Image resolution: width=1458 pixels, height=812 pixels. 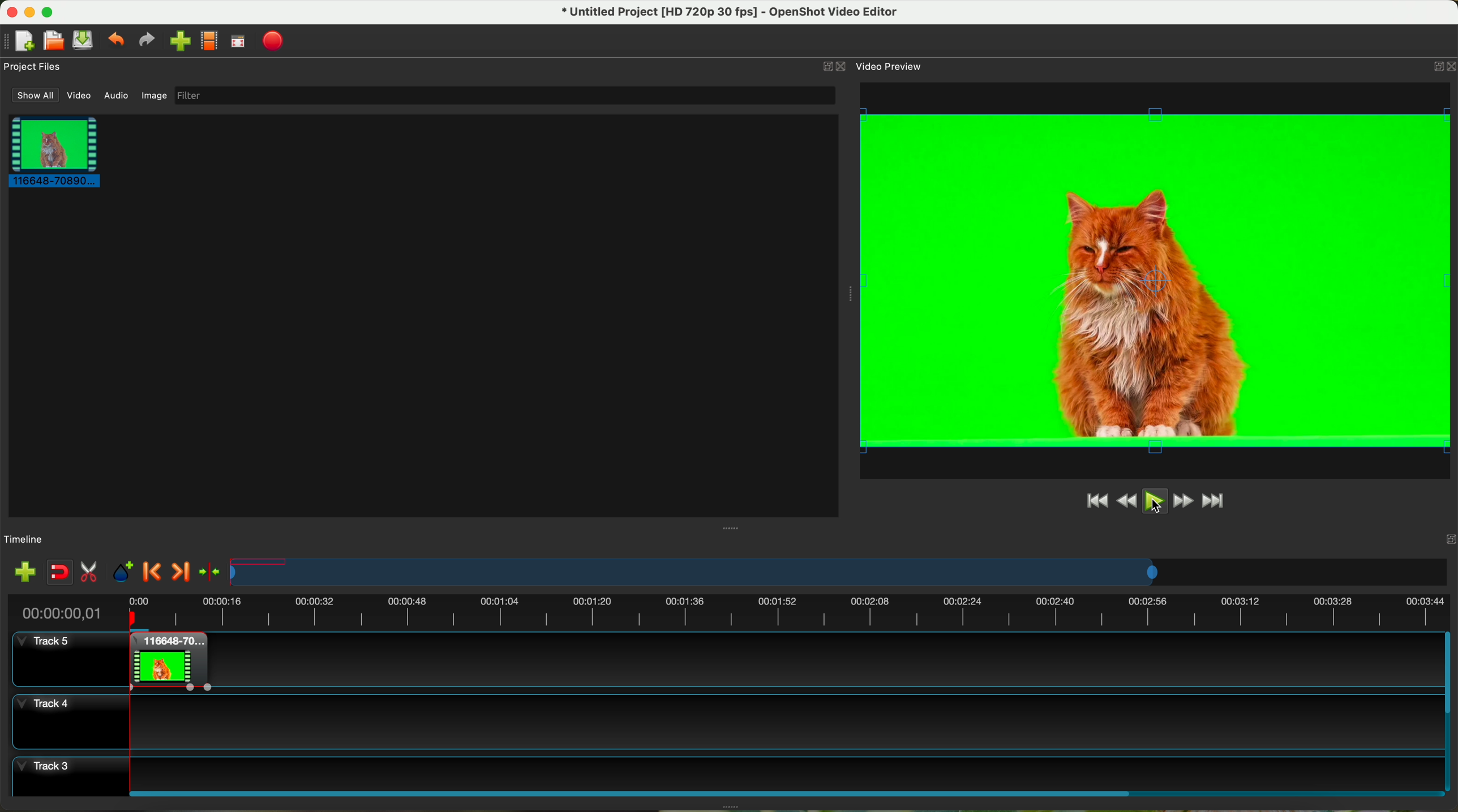 I want to click on jump to end, so click(x=1215, y=502).